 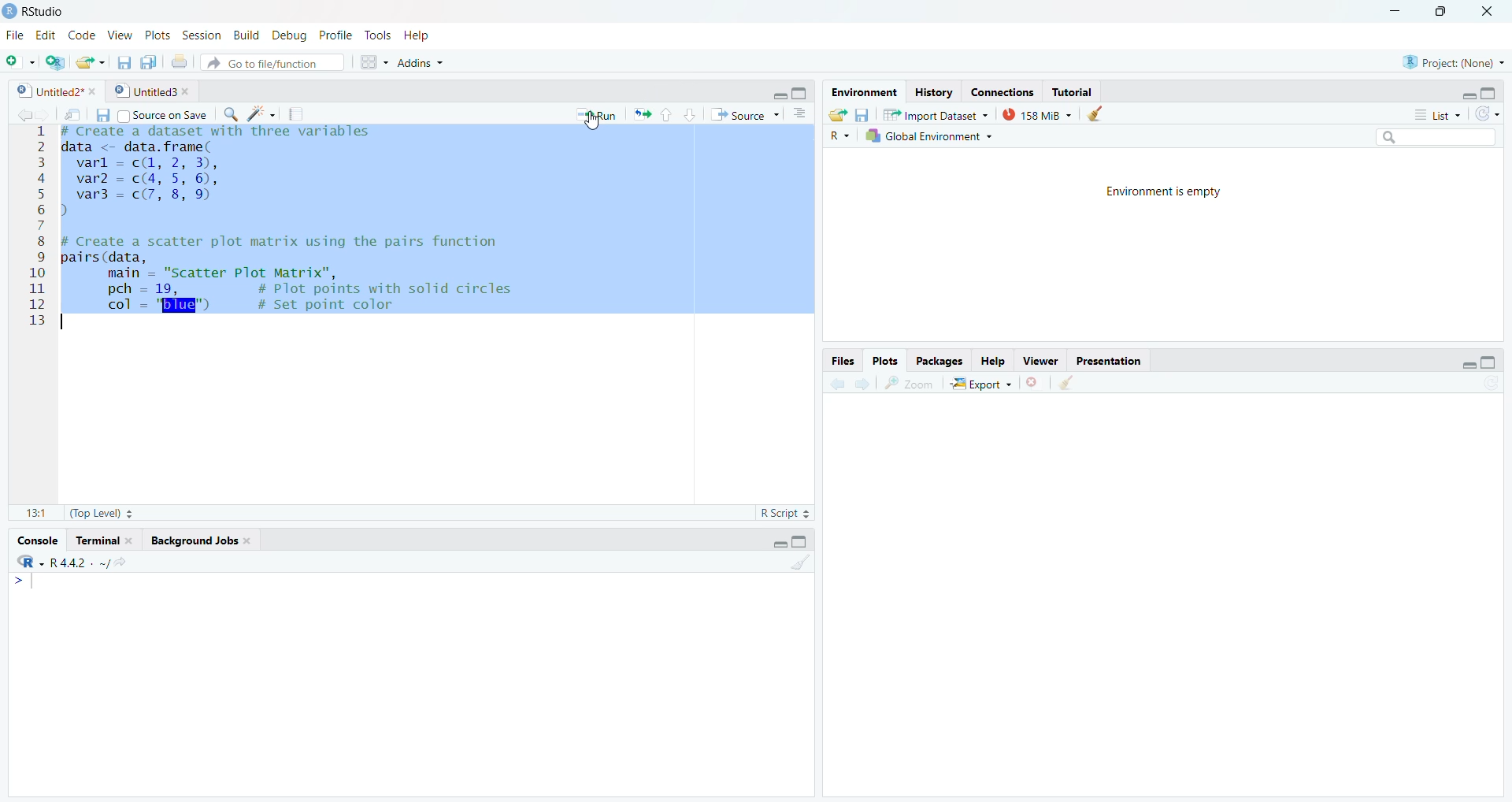 I want to click on 2 data <- data.frame(

3 varl = c(1, 2, 3),

4 var2 = c(4, 5, 6),

5 var3 = c(7, 8, 9)

6 )

7

8 # Create a scatter plot matrix using the pairs function
9 pairs(data,

10 main = "Scatter Plot Matrix",

11 pch = 19, # Plot points with solid circles
12 col = "AME" # Set point color

13 |, so click(x=387, y=309).